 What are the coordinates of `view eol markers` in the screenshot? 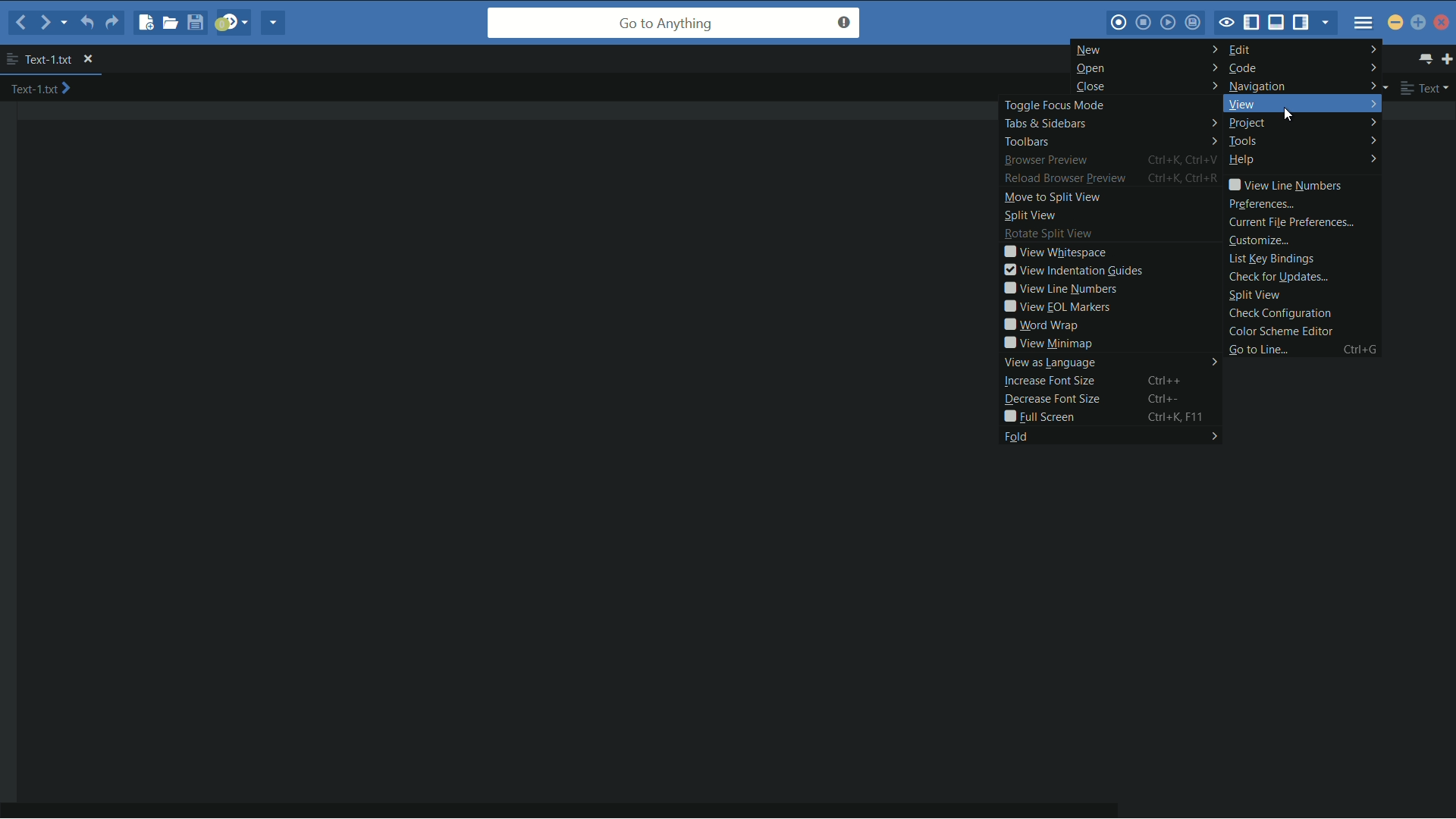 It's located at (1059, 307).